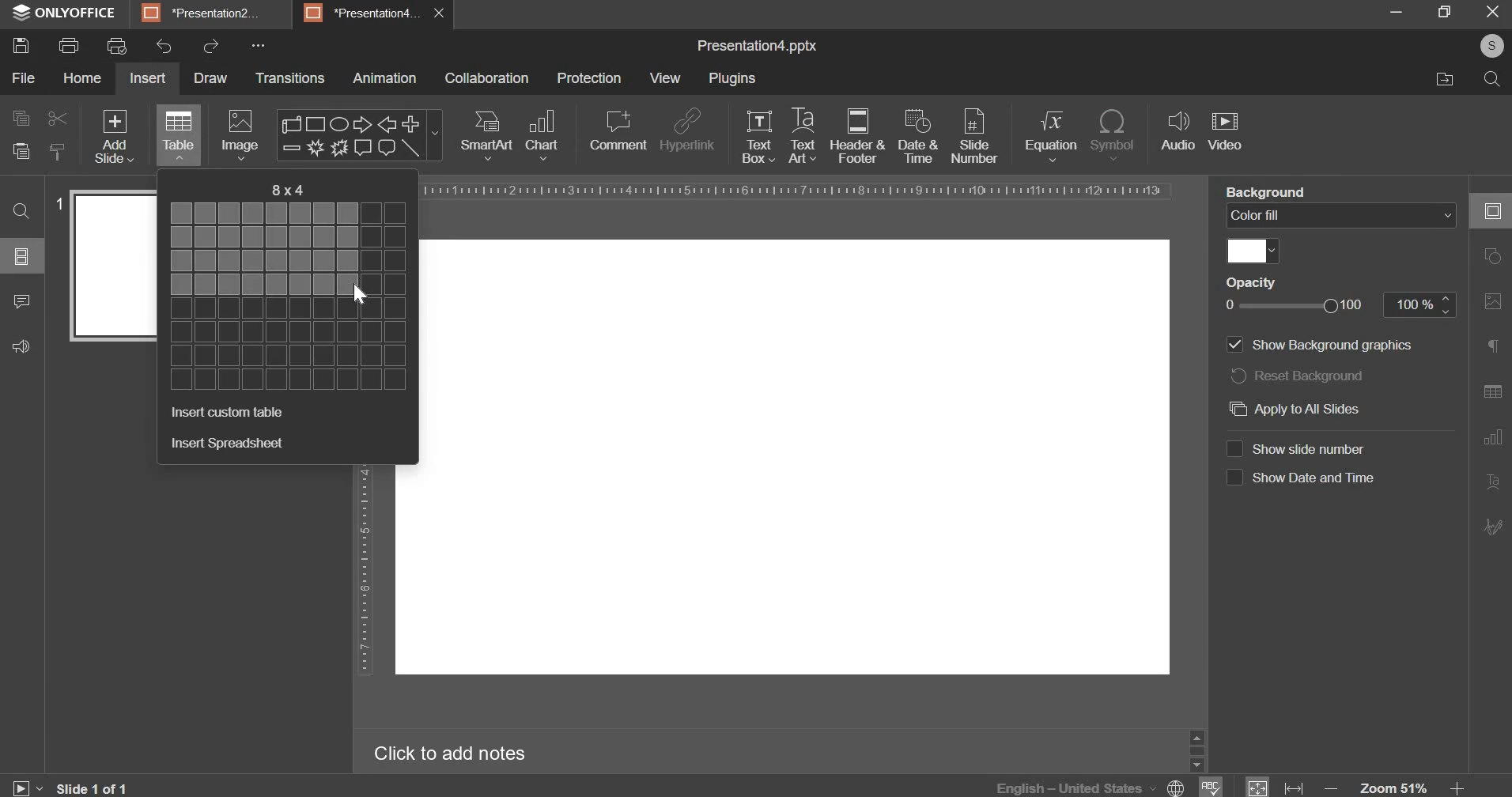 The width and height of the screenshot is (1512, 797). What do you see at coordinates (796, 190) in the screenshot?
I see `ruler` at bounding box center [796, 190].